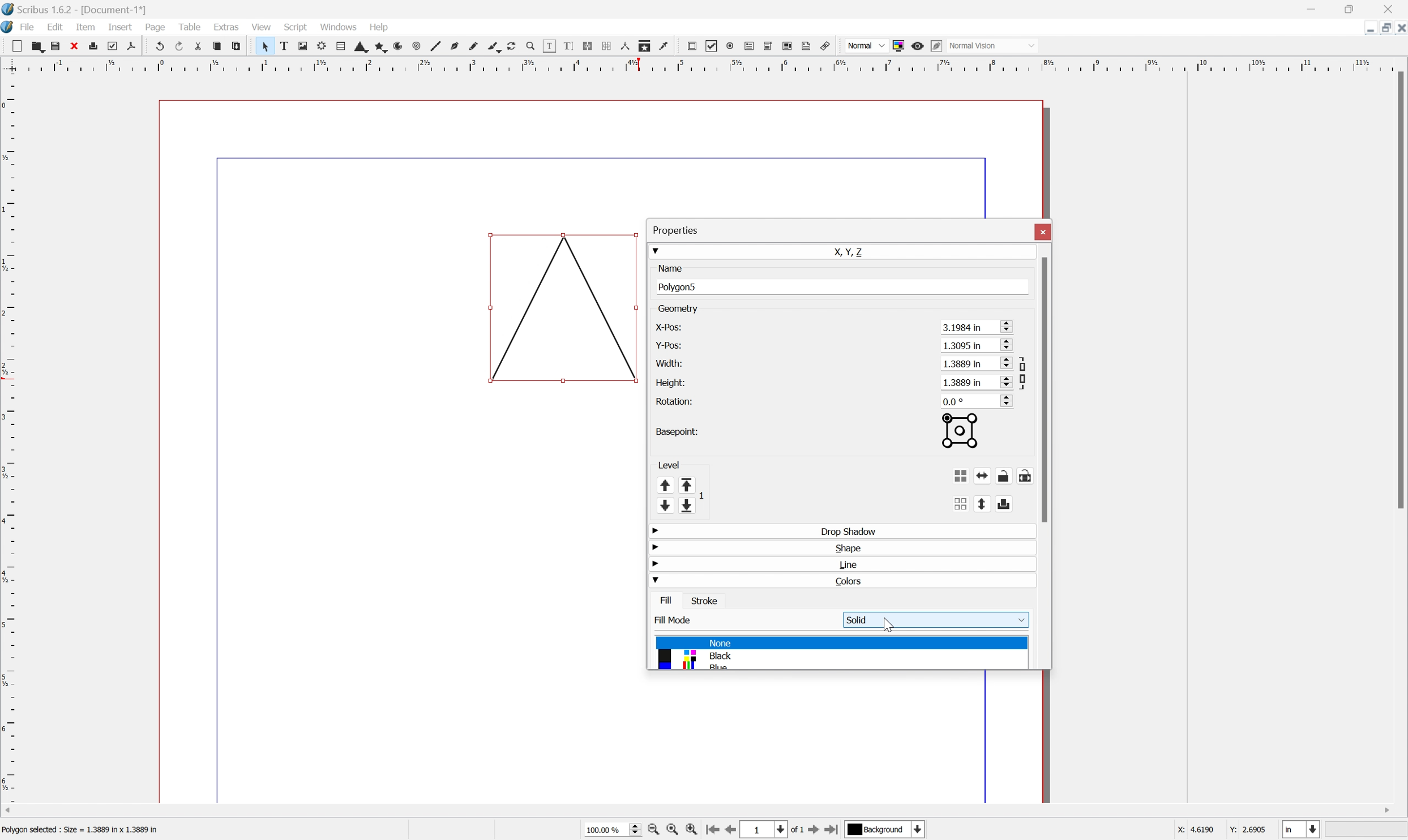 The image size is (1408, 840). I want to click on Width:, so click(668, 362).